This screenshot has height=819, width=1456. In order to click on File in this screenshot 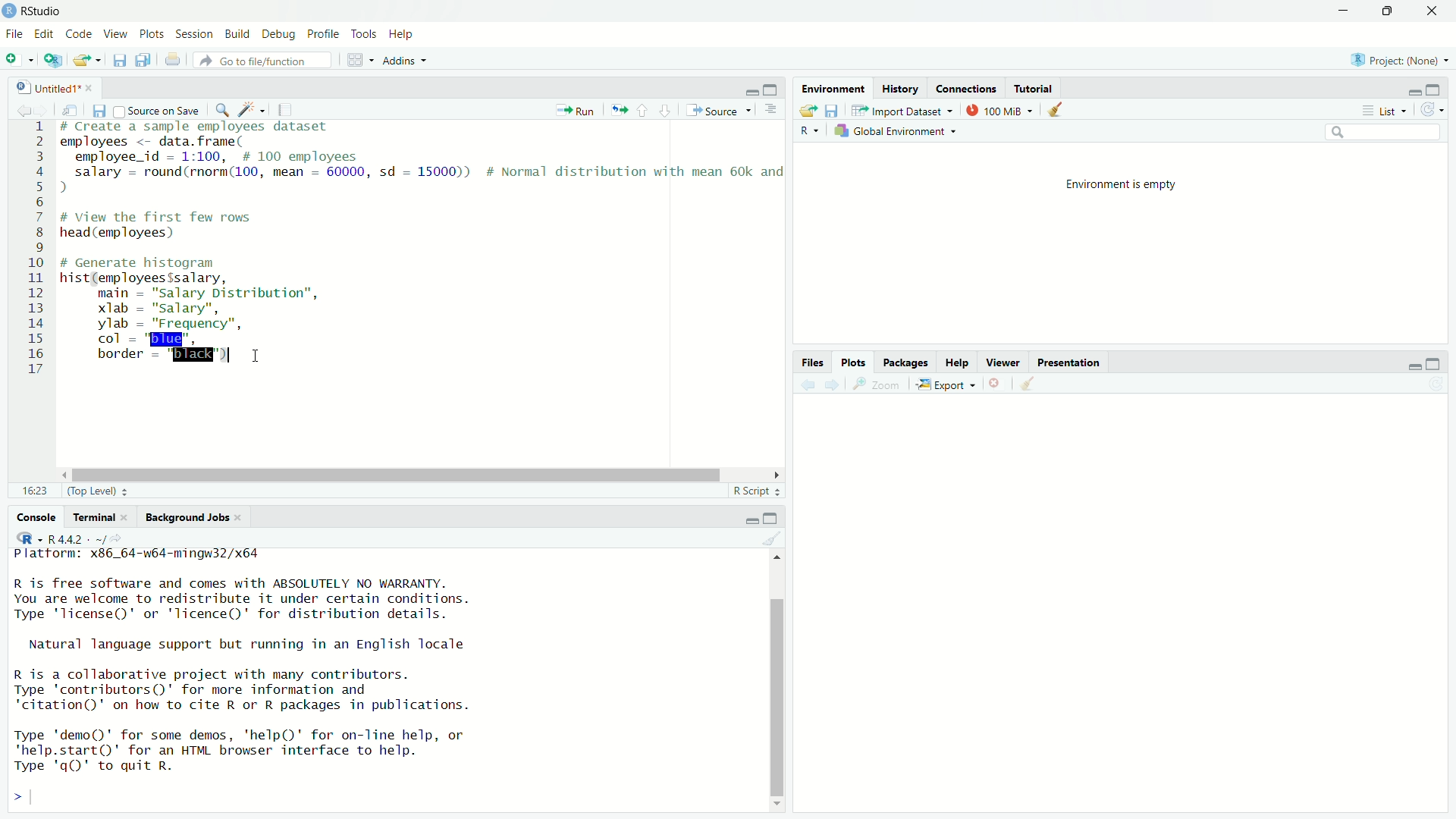, I will do `click(16, 33)`.